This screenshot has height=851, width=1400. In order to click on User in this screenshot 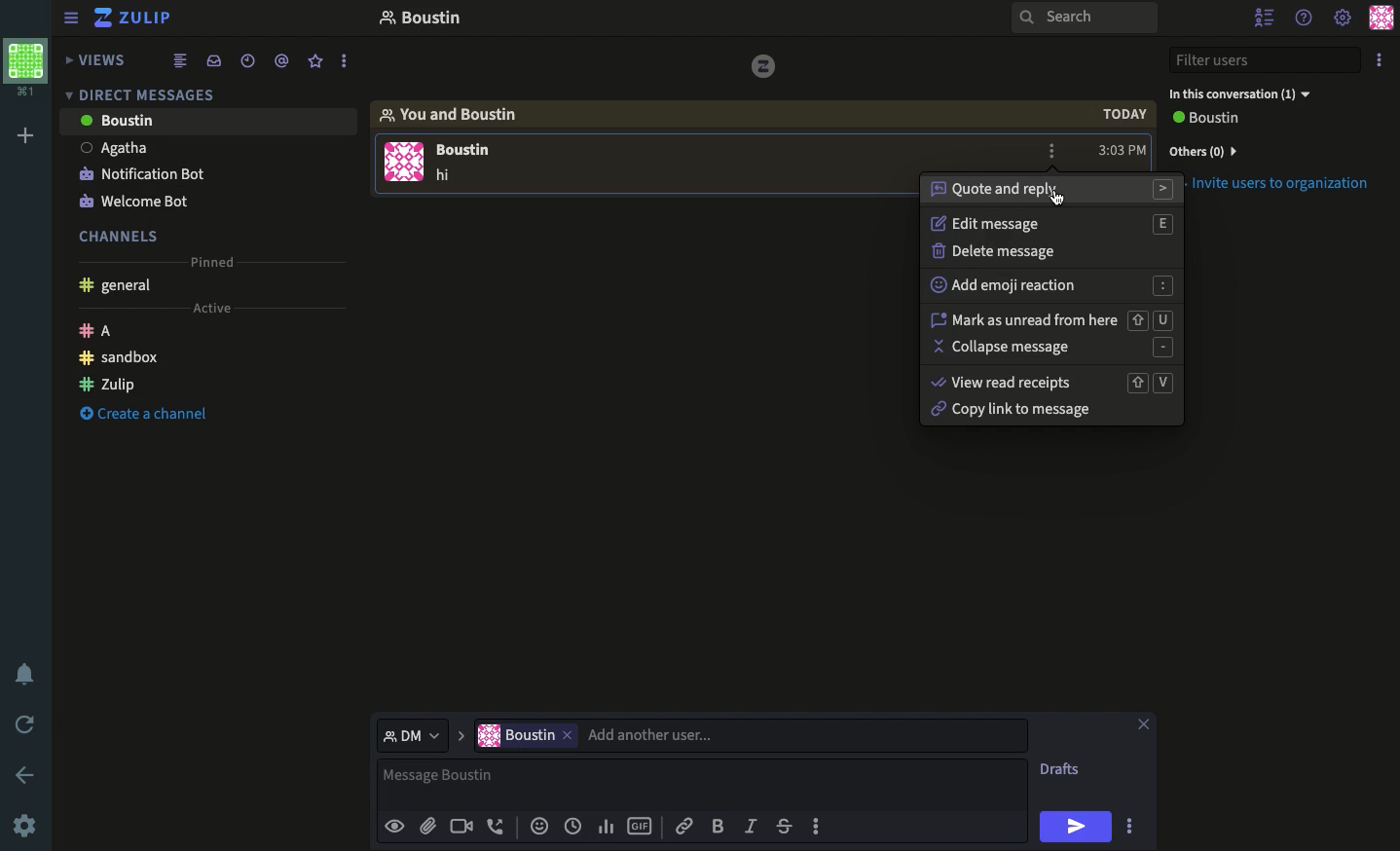, I will do `click(749, 734)`.